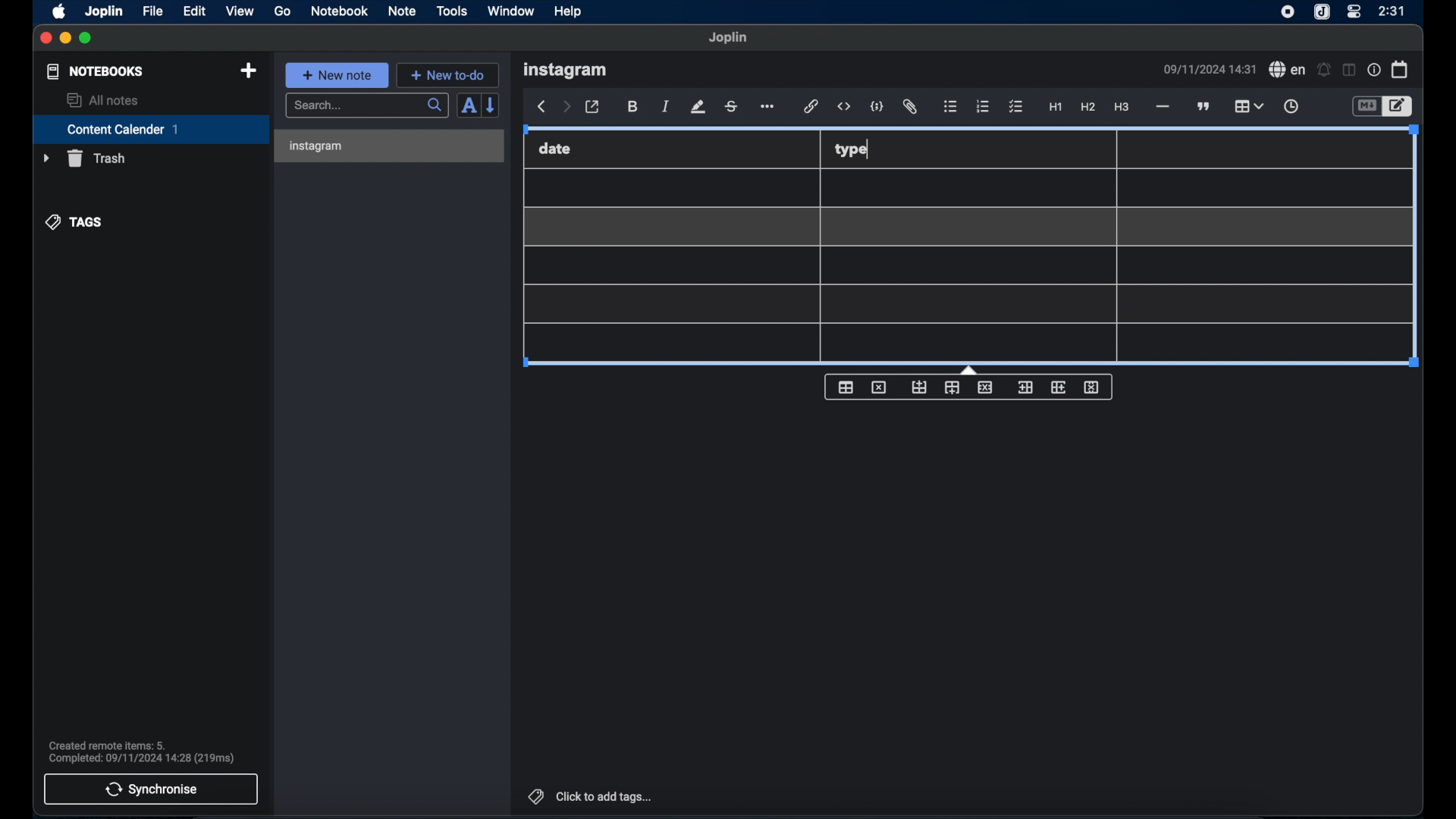 Image resolution: width=1456 pixels, height=819 pixels. I want to click on Created remote items: 5.
Completed: 09/11/2024 14:28 (219ms), so click(137, 748).